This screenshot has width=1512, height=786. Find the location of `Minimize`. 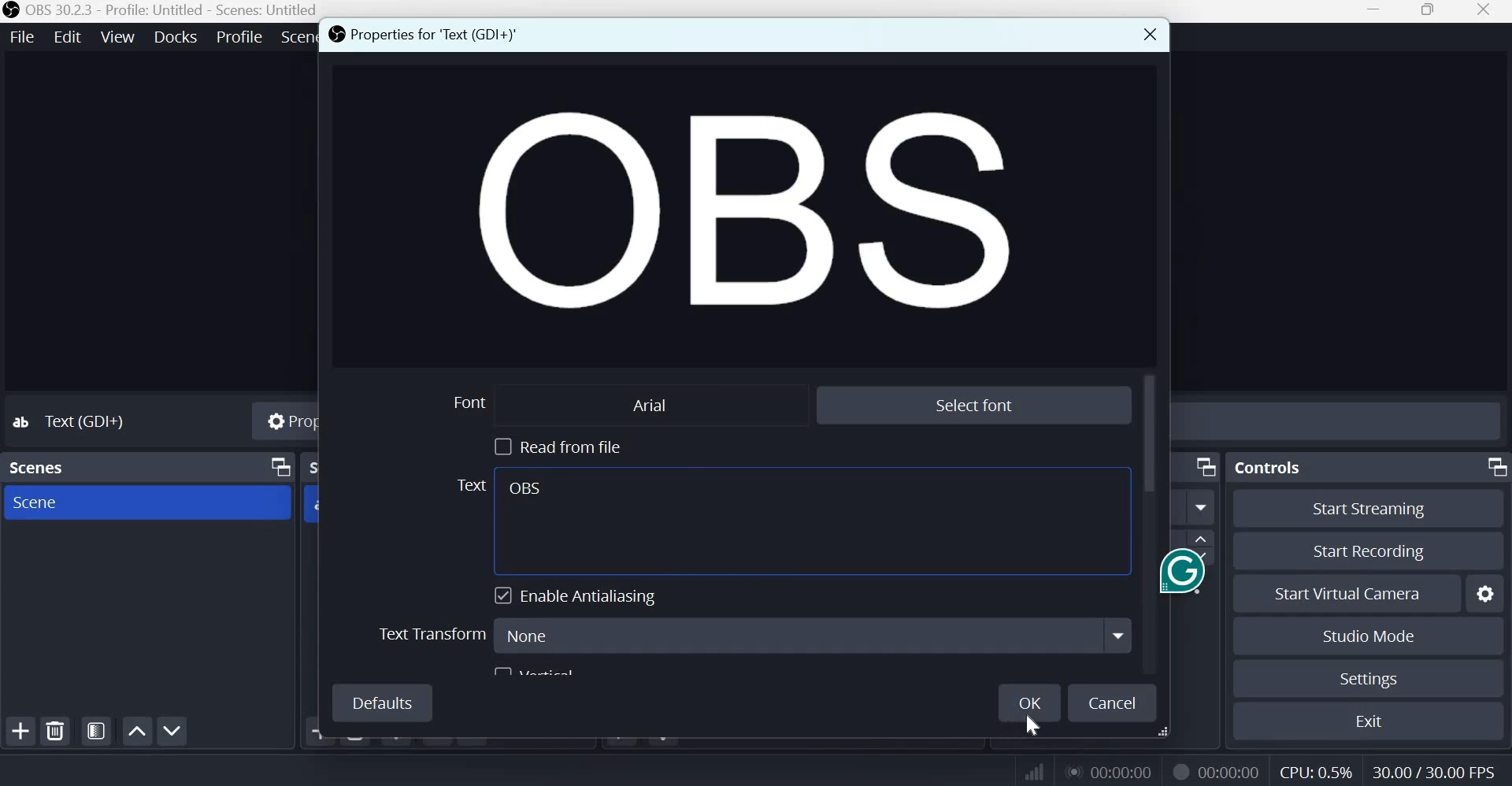

Minimize is located at coordinates (1374, 11).